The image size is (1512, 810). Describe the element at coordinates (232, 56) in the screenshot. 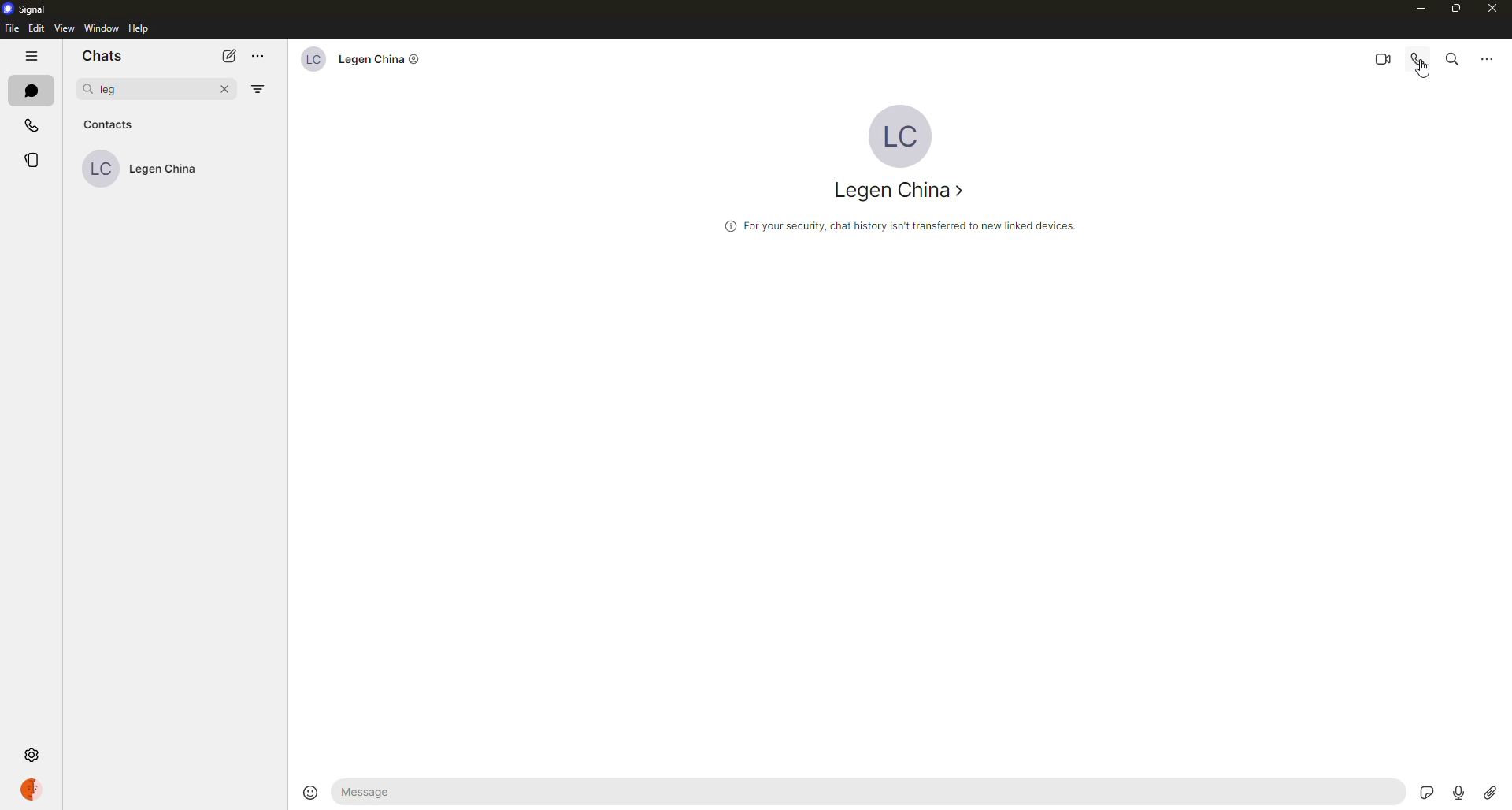

I see `new chat` at that location.